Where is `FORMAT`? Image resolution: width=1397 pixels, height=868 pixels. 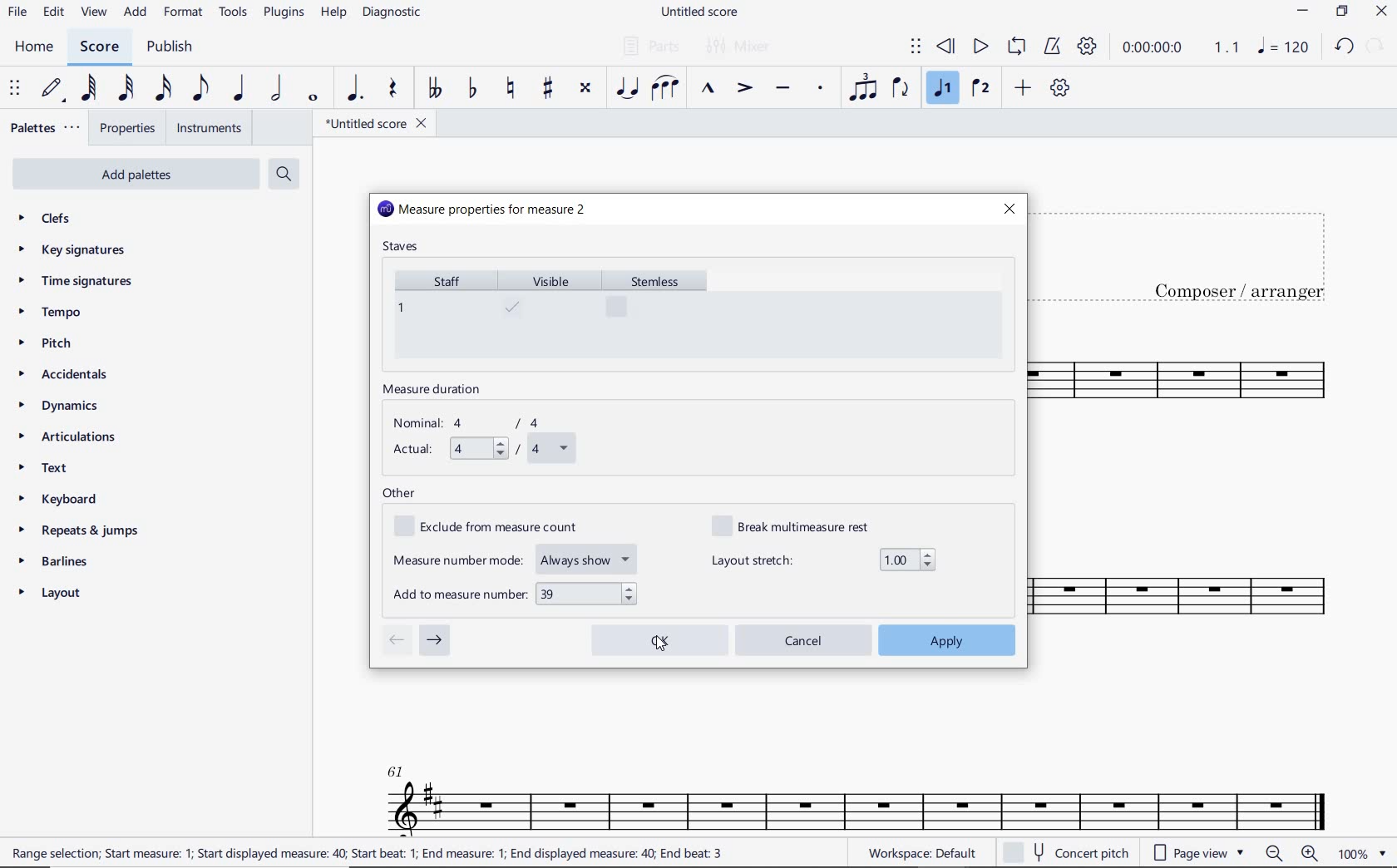
FORMAT is located at coordinates (185, 13).